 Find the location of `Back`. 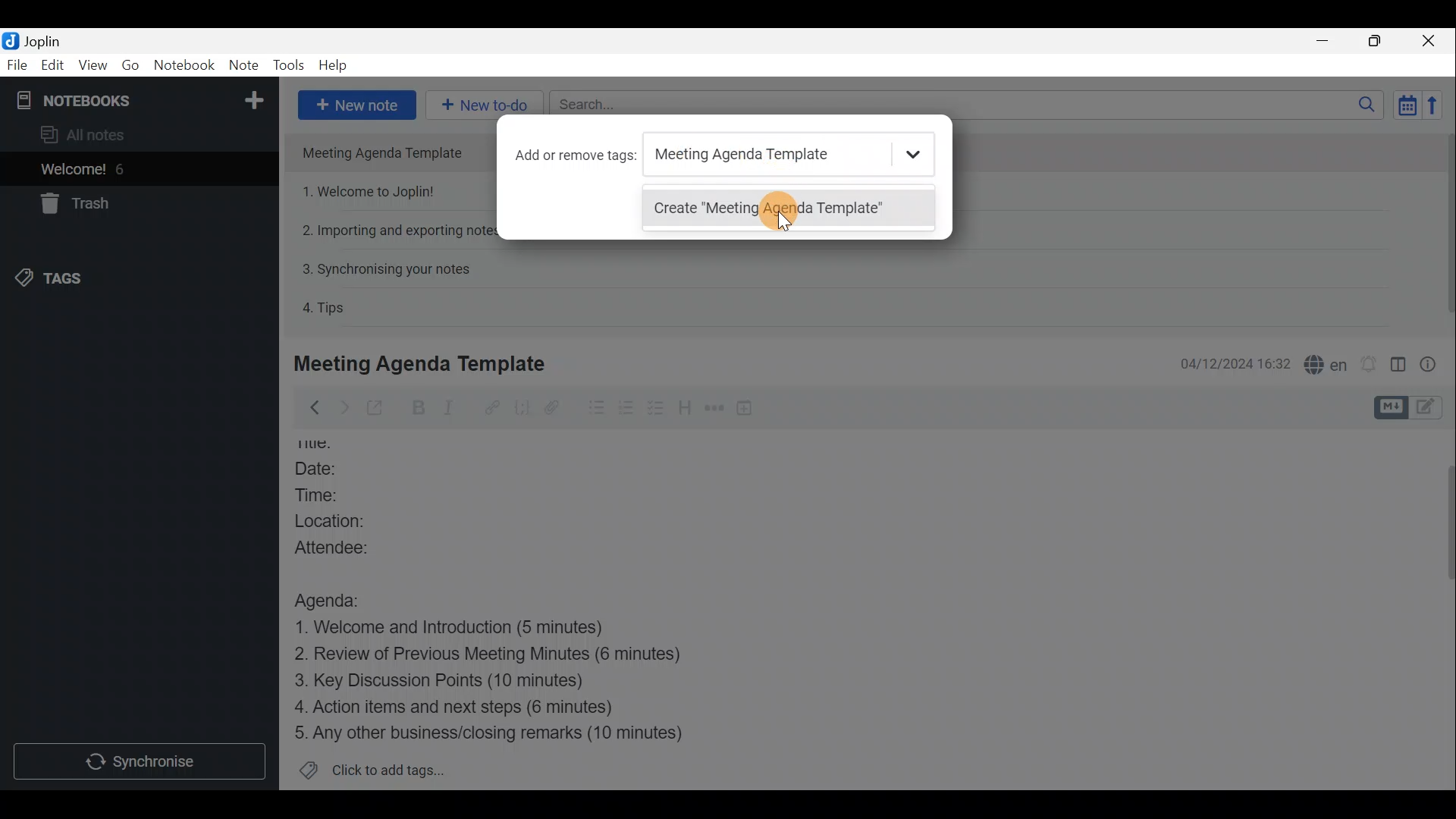

Back is located at coordinates (310, 410).